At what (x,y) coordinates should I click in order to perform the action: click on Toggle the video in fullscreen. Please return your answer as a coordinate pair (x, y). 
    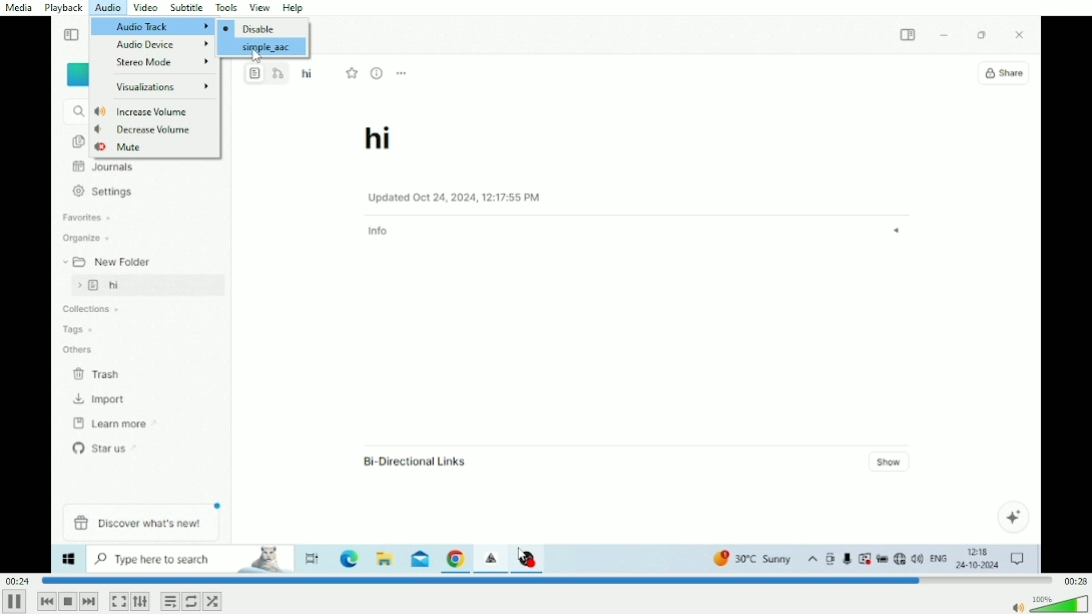
    Looking at the image, I should click on (118, 602).